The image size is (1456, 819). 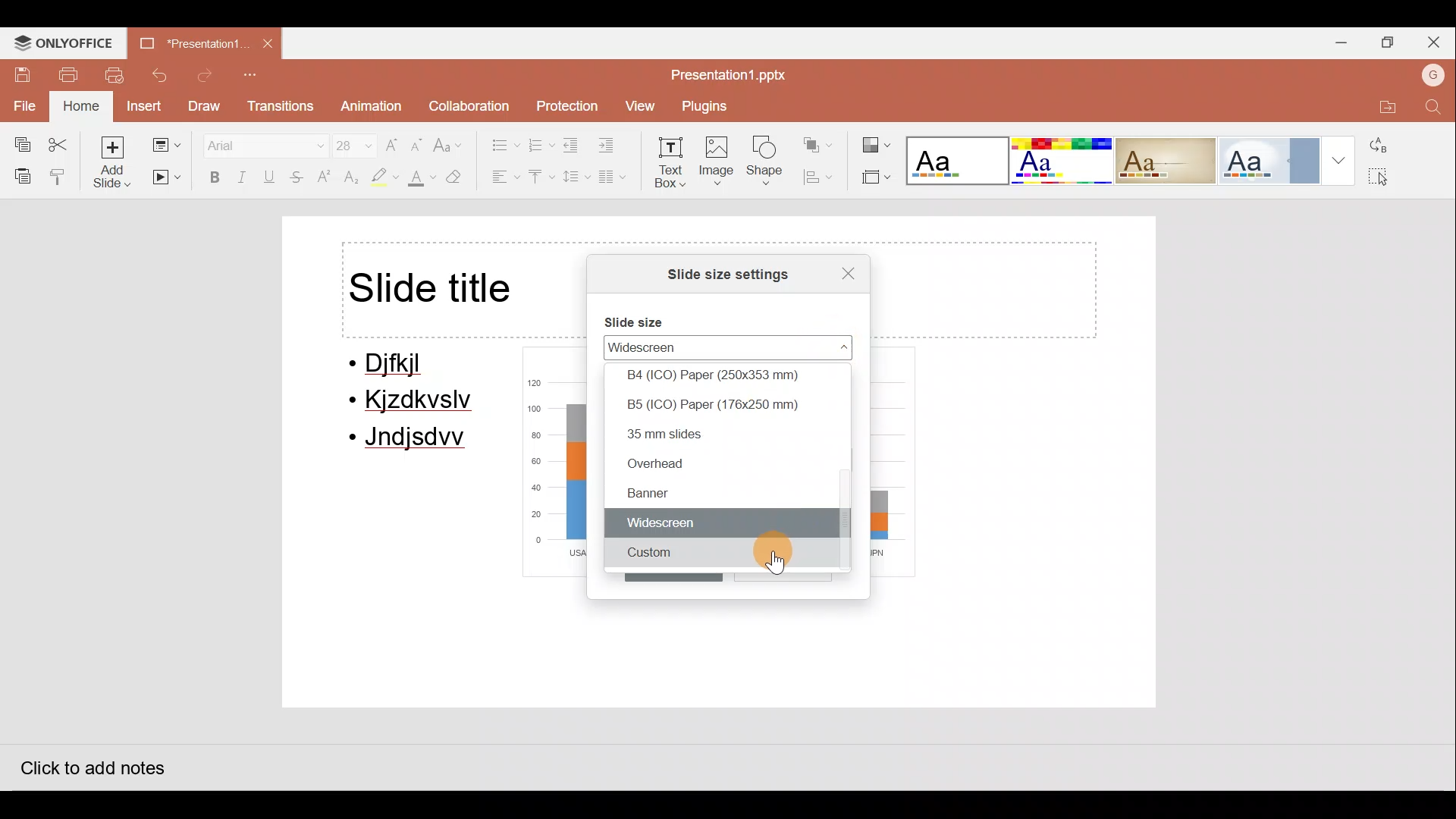 What do you see at coordinates (769, 164) in the screenshot?
I see `Shape` at bounding box center [769, 164].